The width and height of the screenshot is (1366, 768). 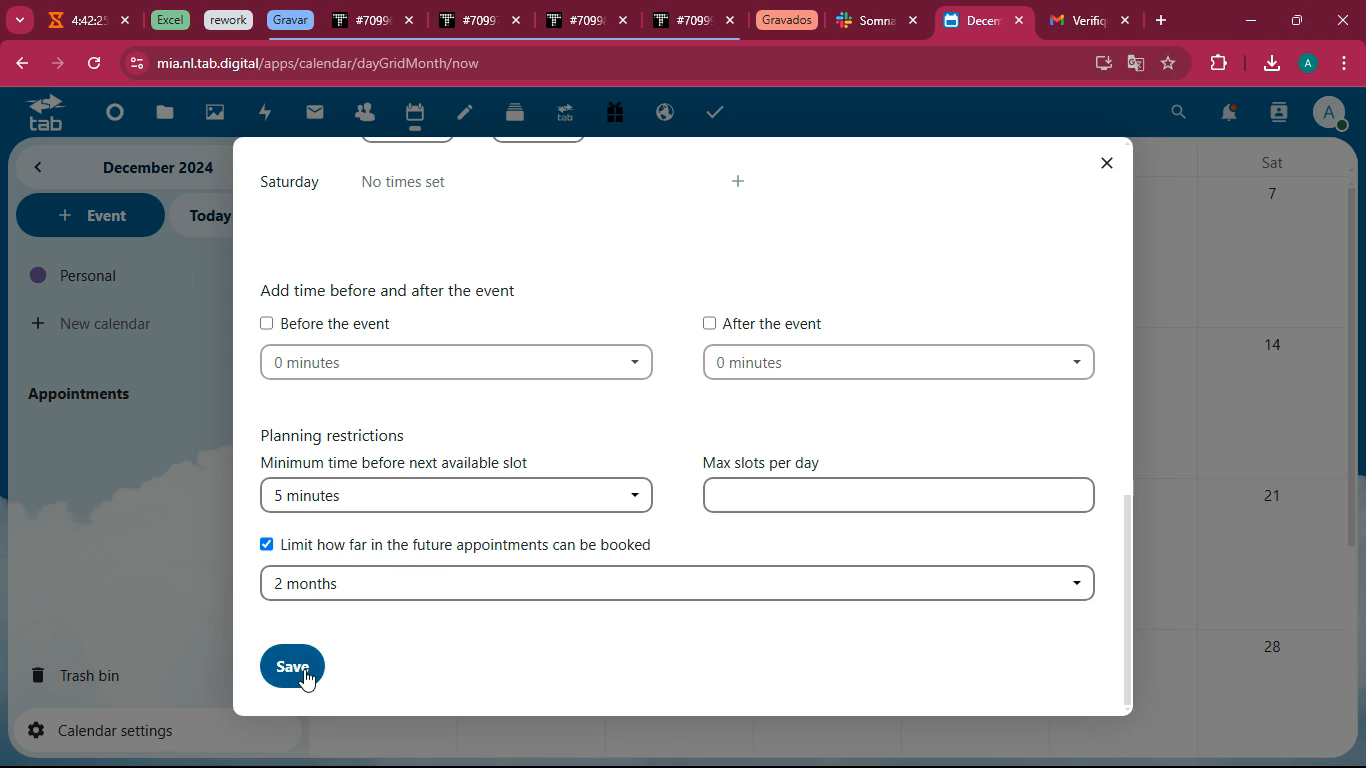 What do you see at coordinates (39, 112) in the screenshot?
I see `tab` at bounding box center [39, 112].